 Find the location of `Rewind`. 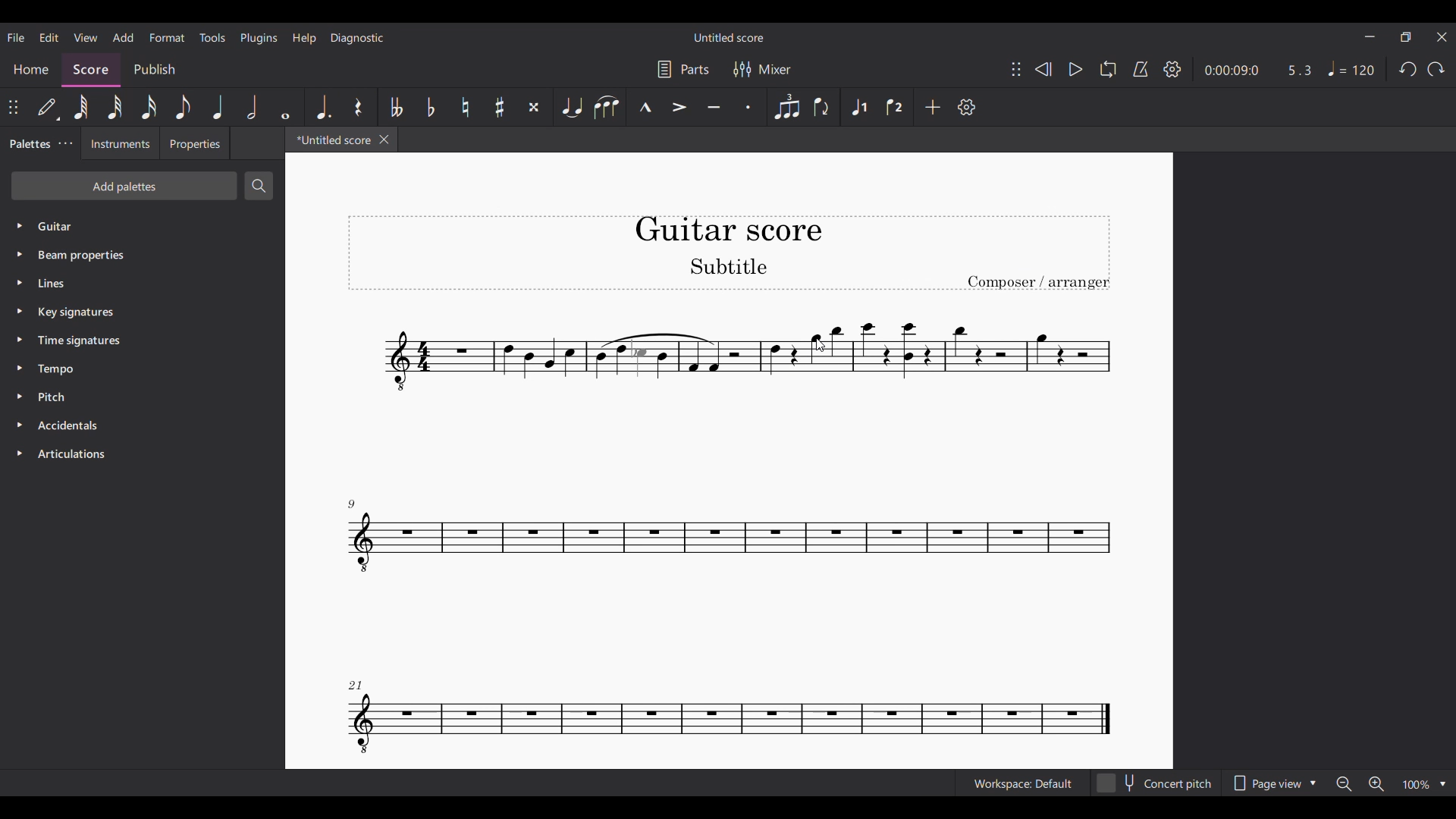

Rewind is located at coordinates (1043, 69).